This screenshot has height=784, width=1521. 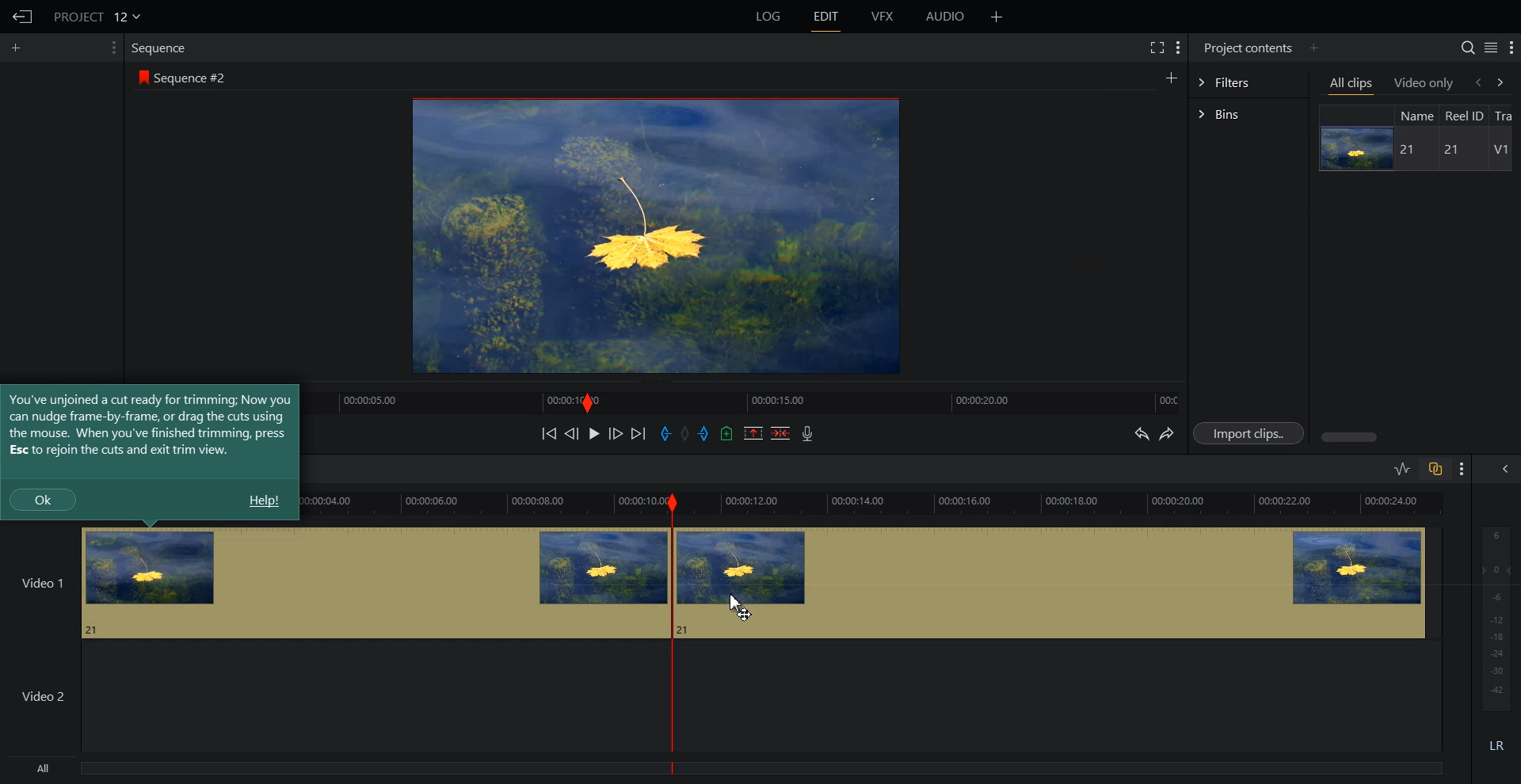 What do you see at coordinates (1352, 84) in the screenshot?
I see `All clips` at bounding box center [1352, 84].